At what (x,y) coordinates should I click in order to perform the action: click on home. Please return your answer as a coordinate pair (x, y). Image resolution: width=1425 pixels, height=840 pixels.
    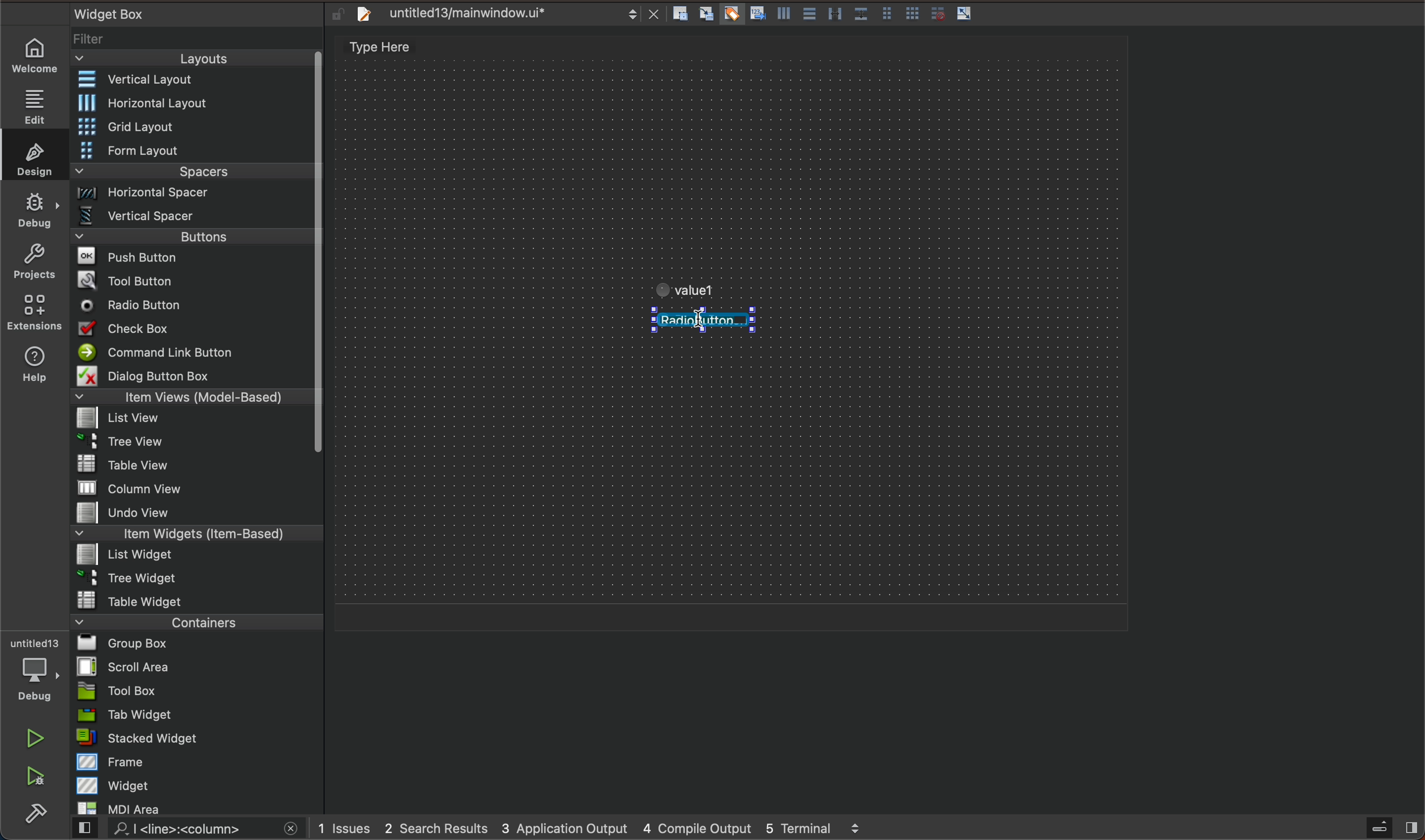
    Looking at the image, I should click on (40, 55).